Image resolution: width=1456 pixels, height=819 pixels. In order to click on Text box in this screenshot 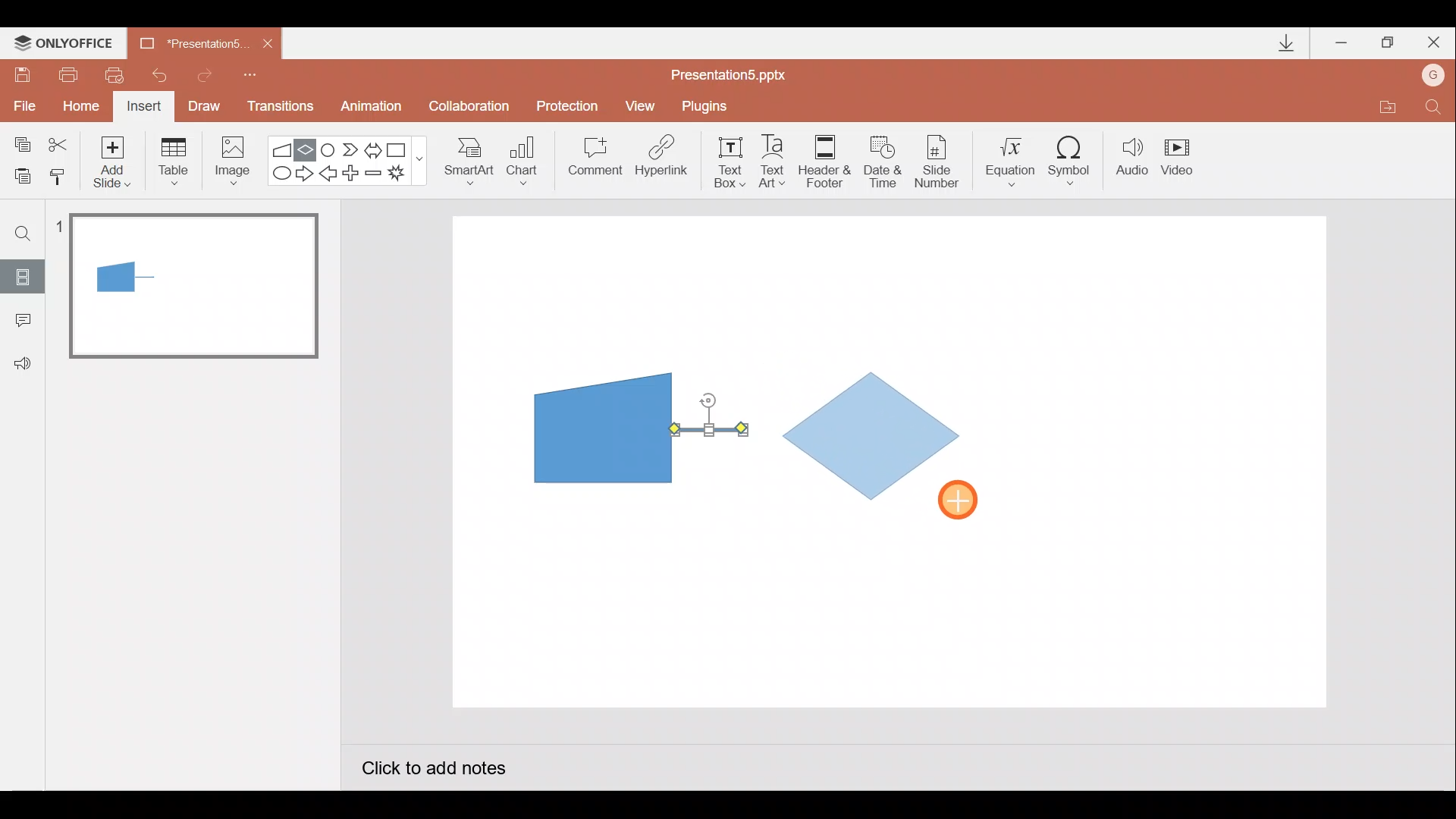, I will do `click(725, 160)`.